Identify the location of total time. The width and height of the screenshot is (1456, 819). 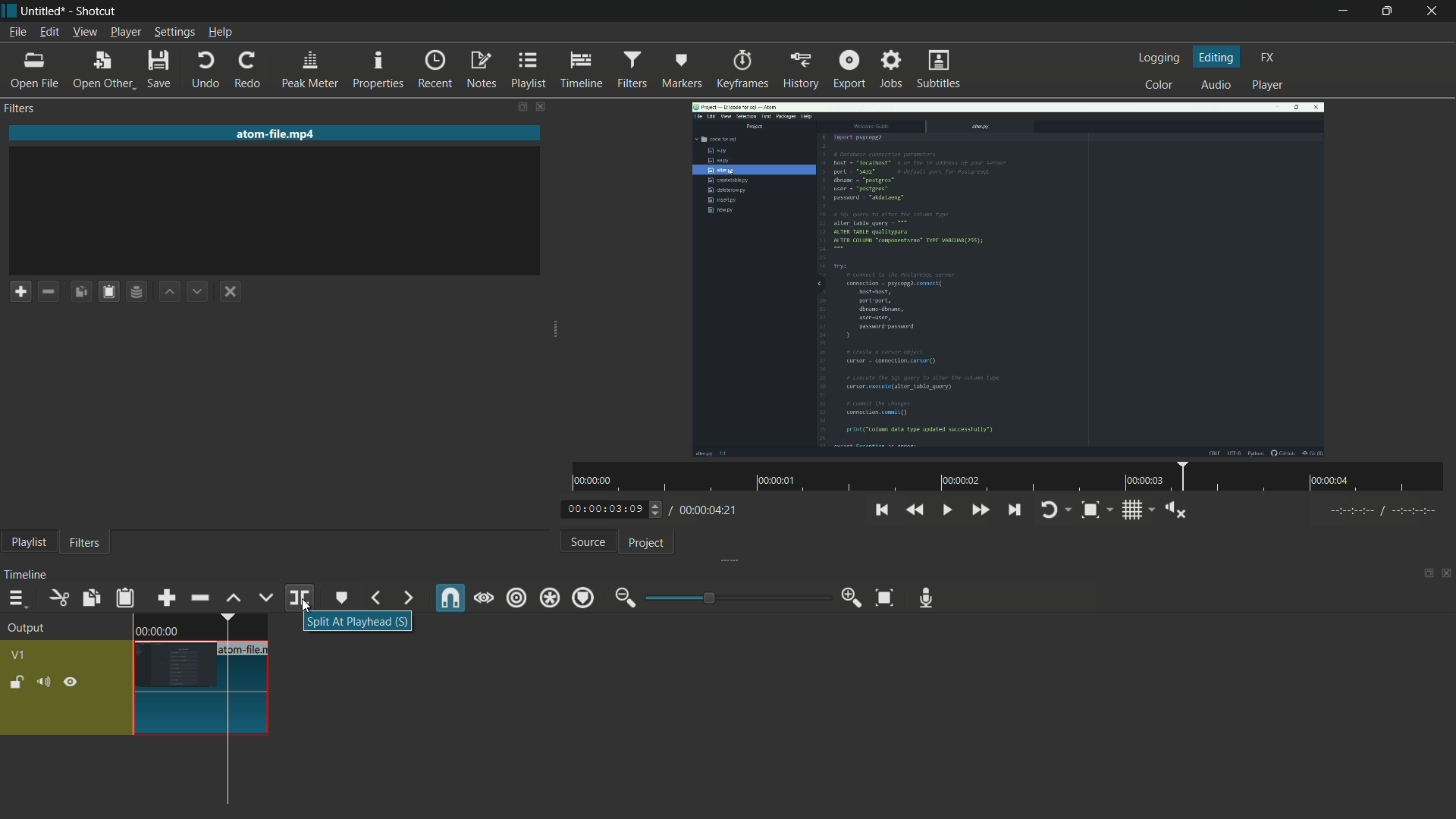
(711, 510).